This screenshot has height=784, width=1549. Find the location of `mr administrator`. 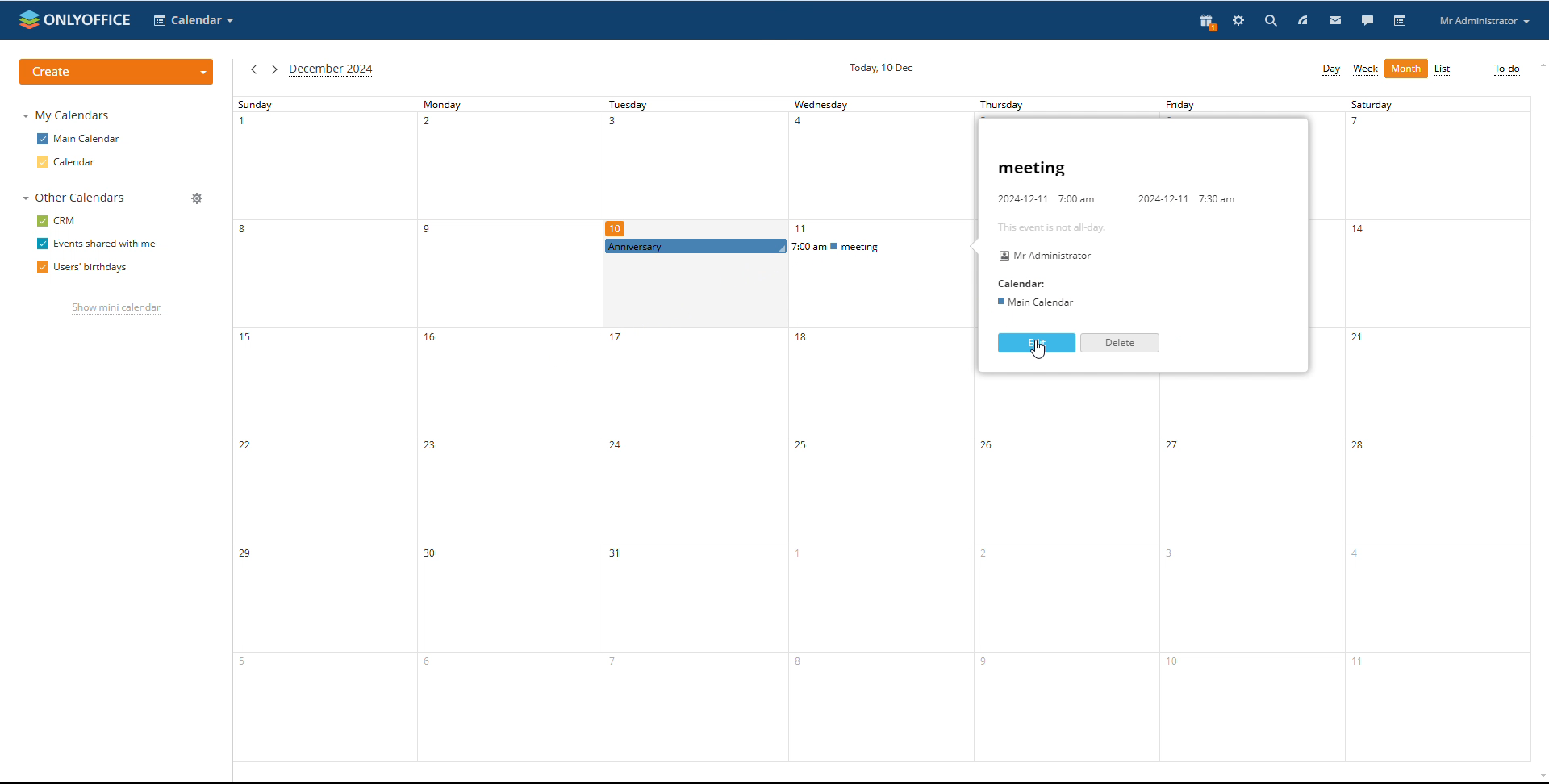

mr administrator is located at coordinates (1042, 254).